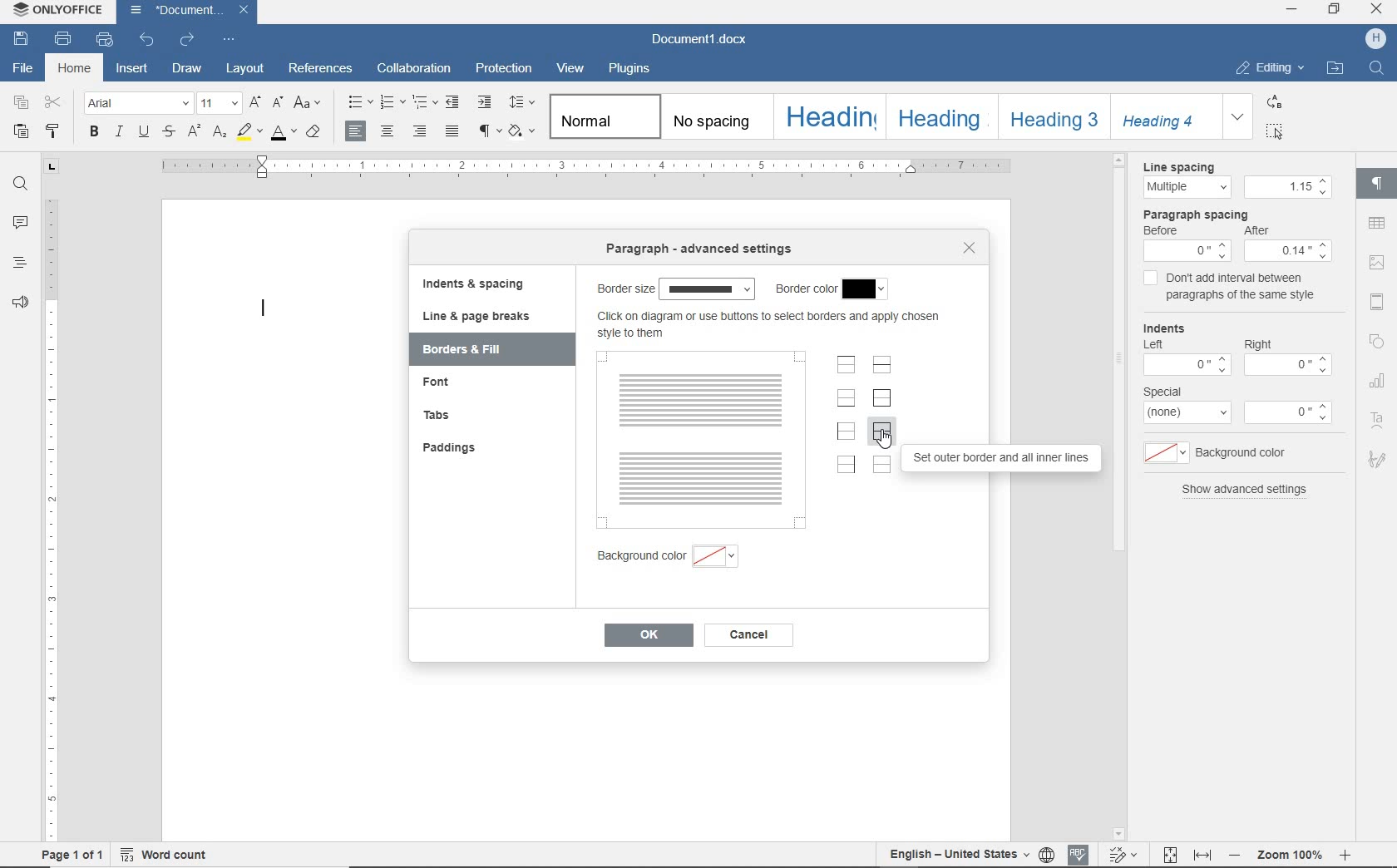 The image size is (1397, 868). What do you see at coordinates (315, 133) in the screenshot?
I see `clear style` at bounding box center [315, 133].